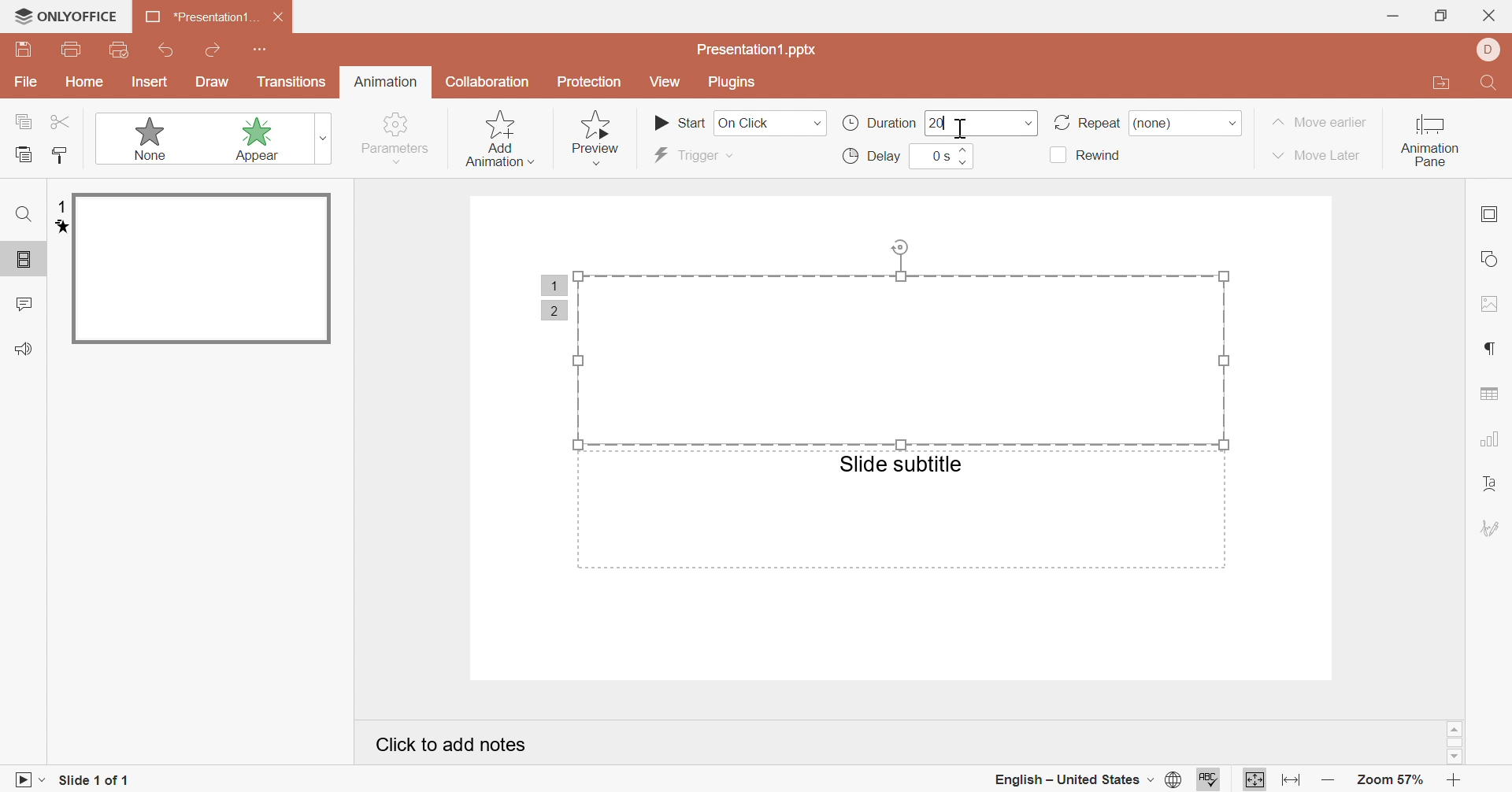 Image resolution: width=1512 pixels, height=792 pixels. What do you see at coordinates (1455, 729) in the screenshot?
I see `scroll up` at bounding box center [1455, 729].